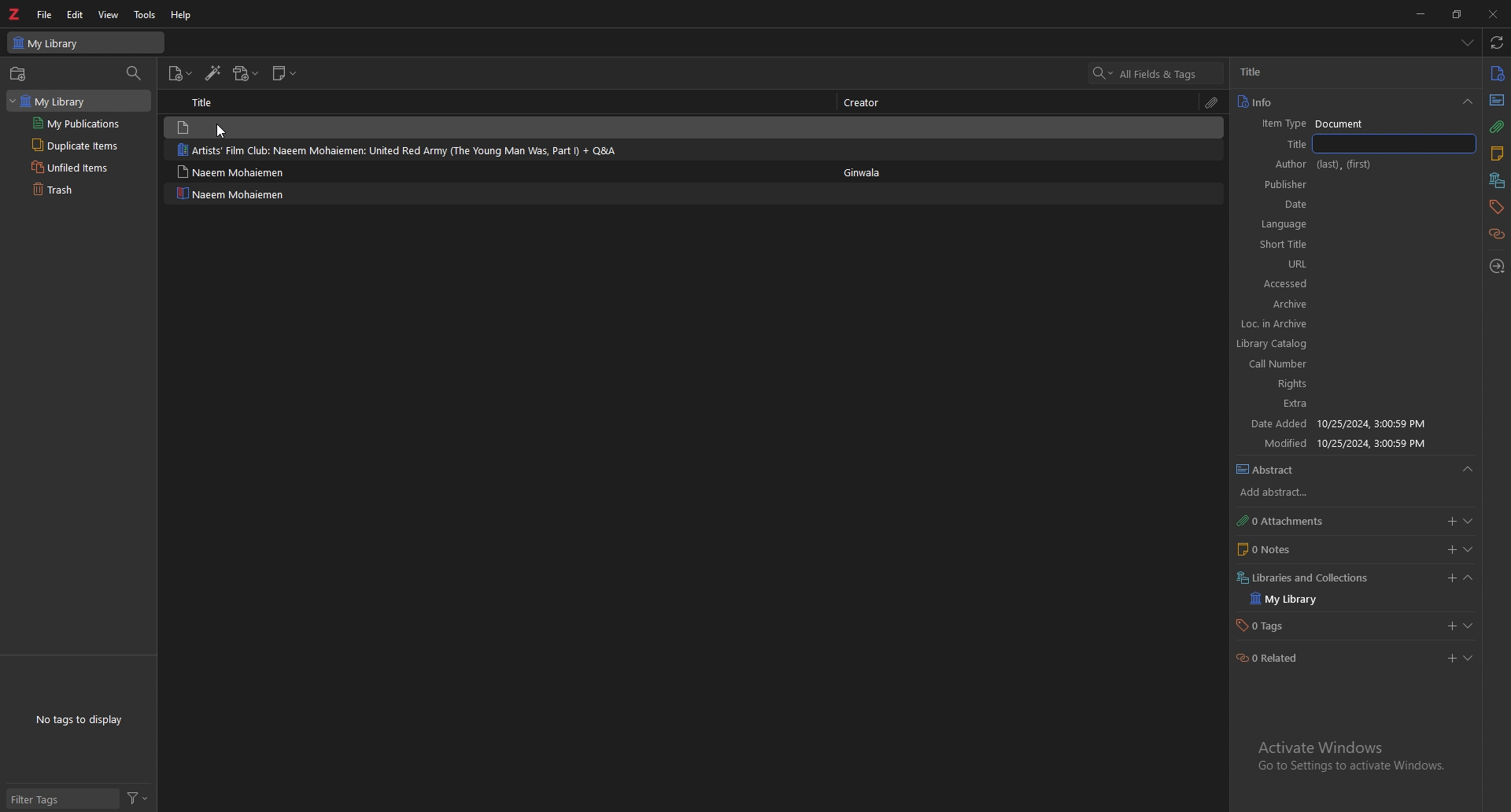  What do you see at coordinates (1281, 544) in the screenshot?
I see `call number` at bounding box center [1281, 544].